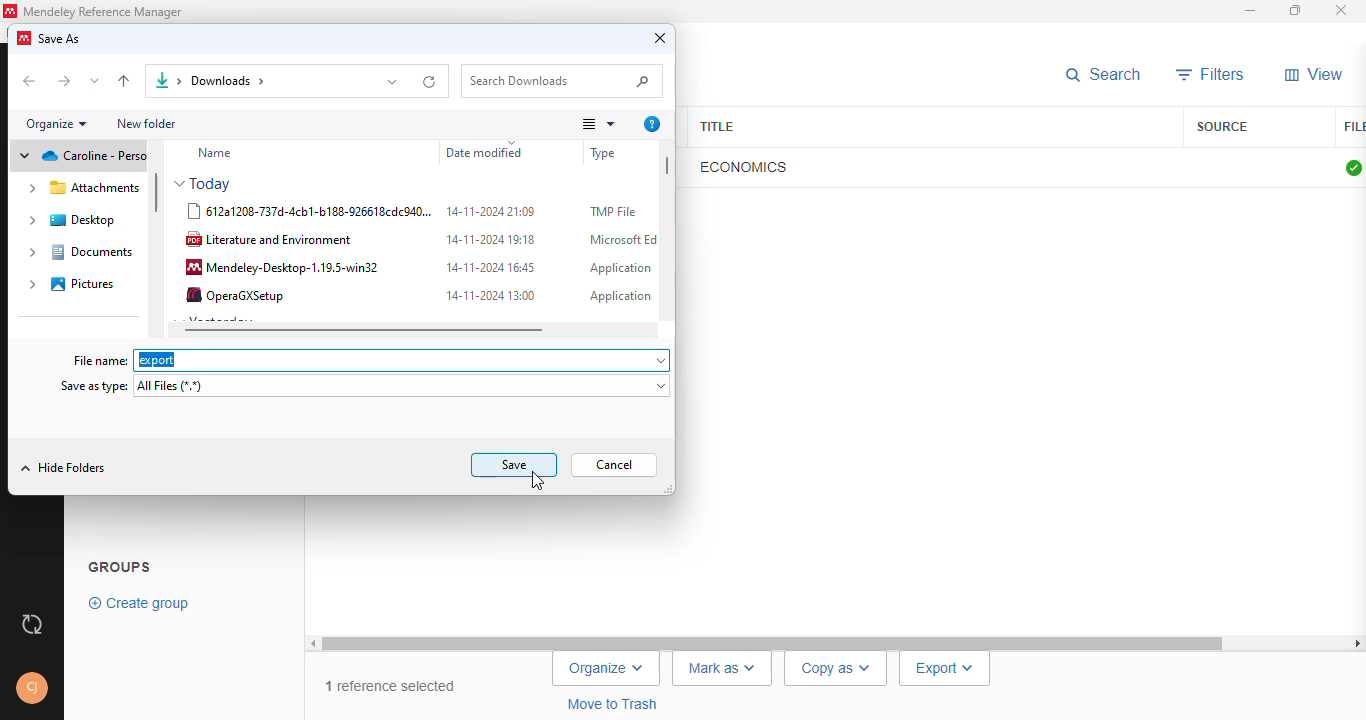 This screenshot has height=720, width=1366. Describe the element at coordinates (10, 11) in the screenshot. I see `logo` at that location.